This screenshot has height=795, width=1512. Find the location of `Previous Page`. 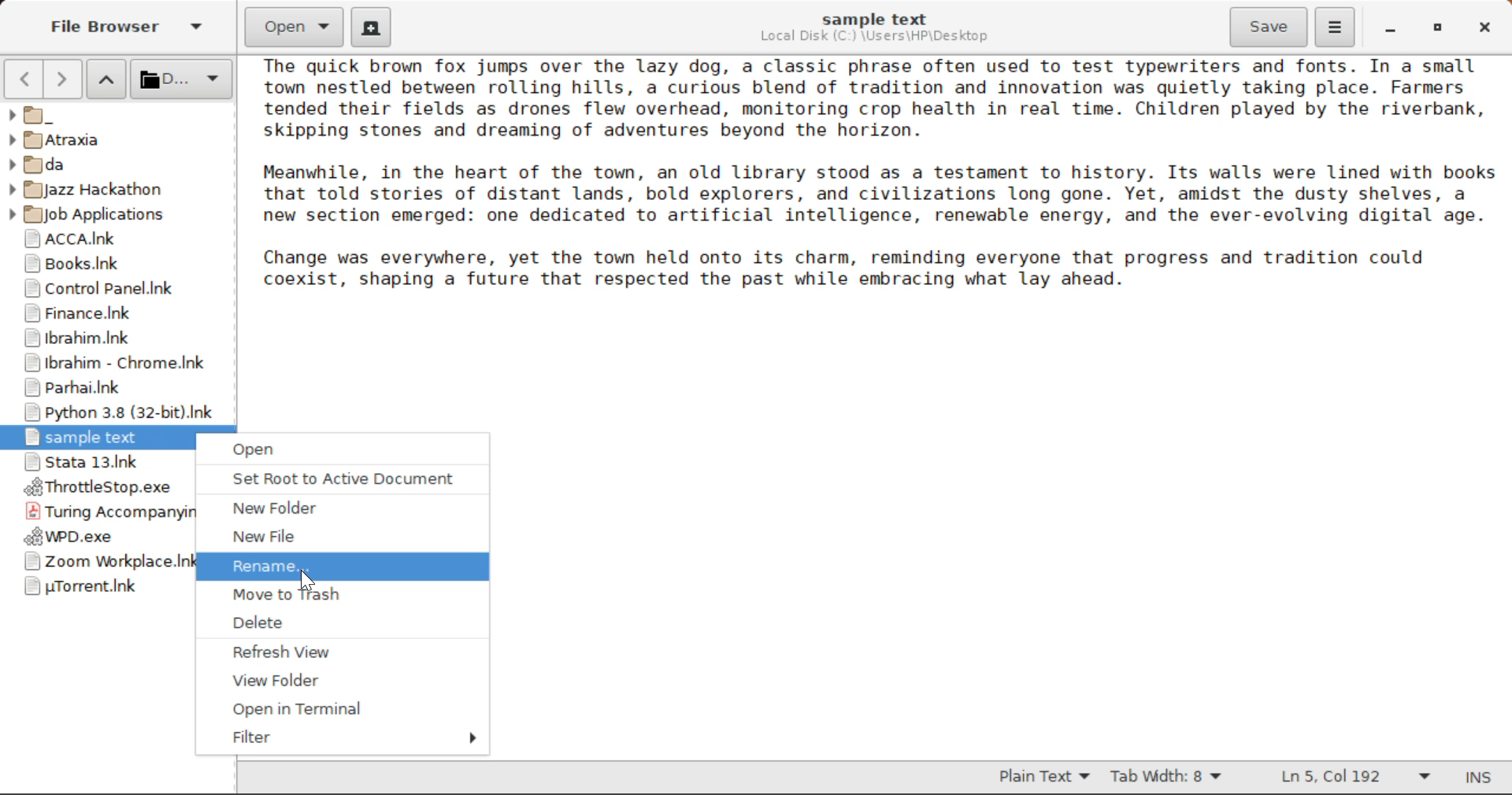

Previous Page is located at coordinates (23, 79).